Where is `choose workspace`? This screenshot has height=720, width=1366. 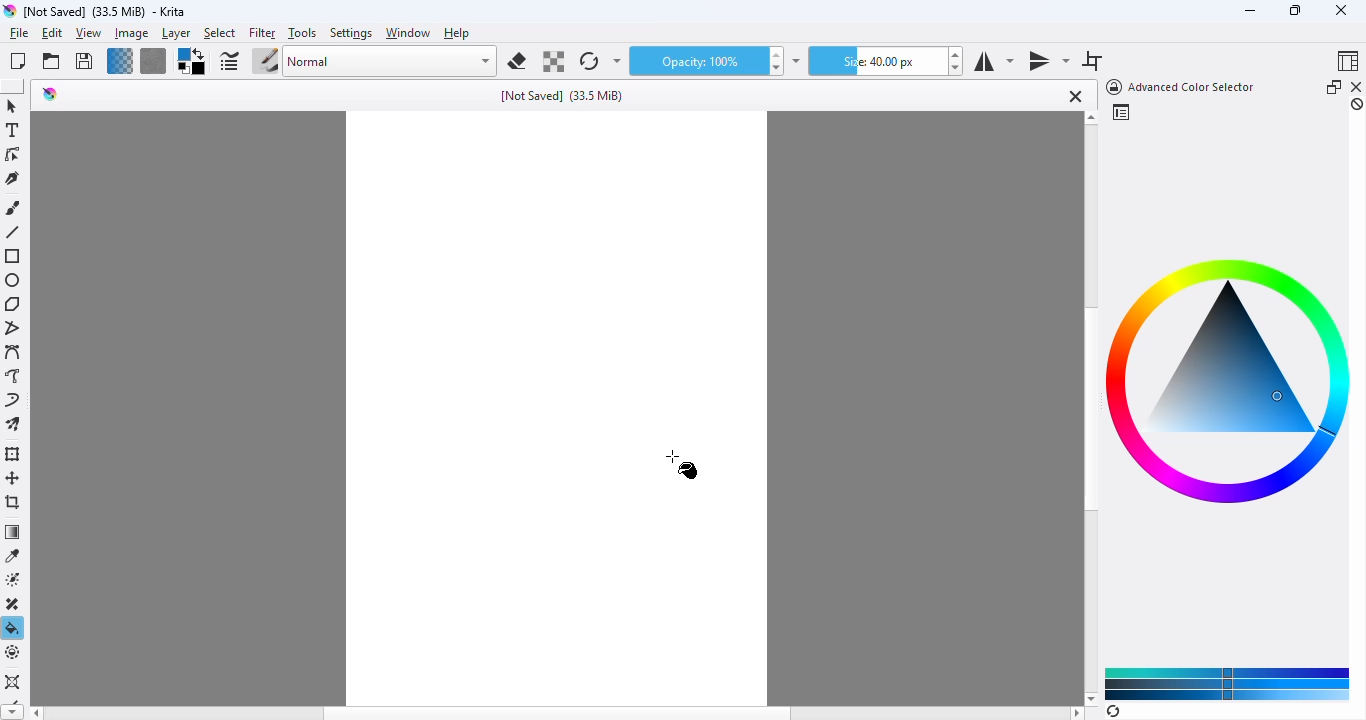
choose workspace is located at coordinates (1349, 60).